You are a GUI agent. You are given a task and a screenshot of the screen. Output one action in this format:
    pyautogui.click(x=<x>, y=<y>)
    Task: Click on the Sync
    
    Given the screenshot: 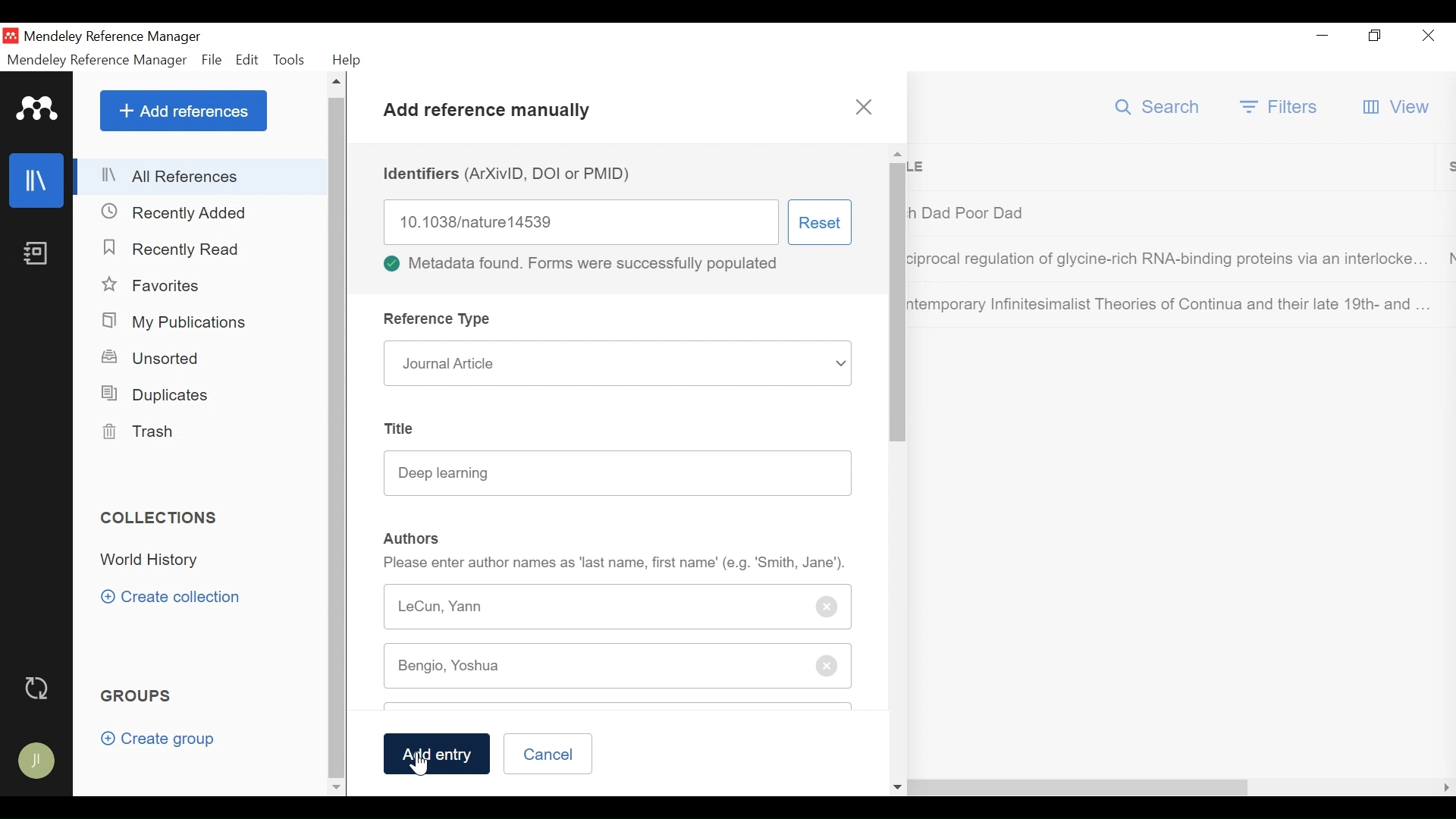 What is the action you would take?
    pyautogui.click(x=36, y=687)
    